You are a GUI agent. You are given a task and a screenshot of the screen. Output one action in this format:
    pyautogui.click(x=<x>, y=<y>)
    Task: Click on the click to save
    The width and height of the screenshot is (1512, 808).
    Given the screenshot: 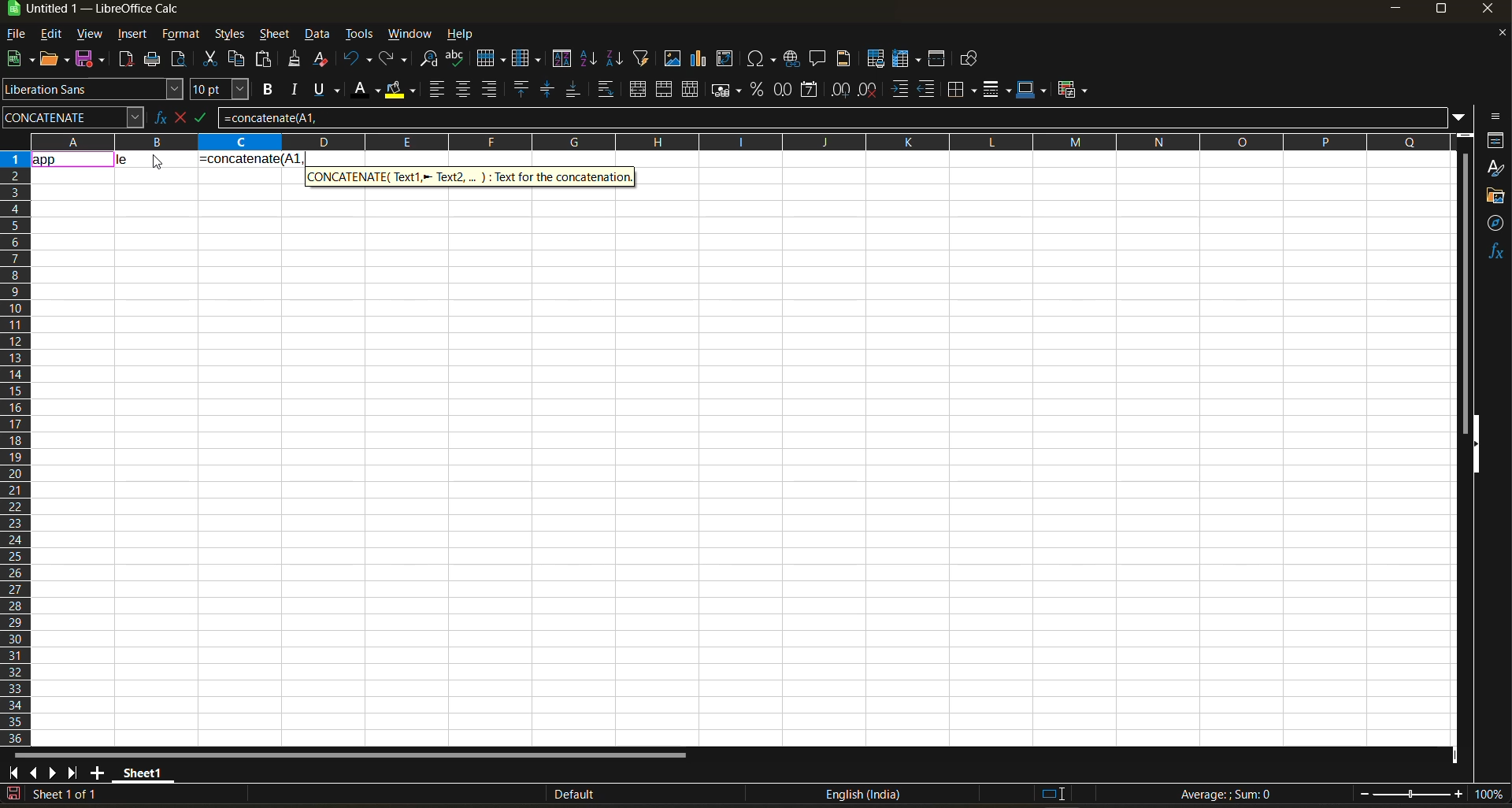 What is the action you would take?
    pyautogui.click(x=13, y=795)
    